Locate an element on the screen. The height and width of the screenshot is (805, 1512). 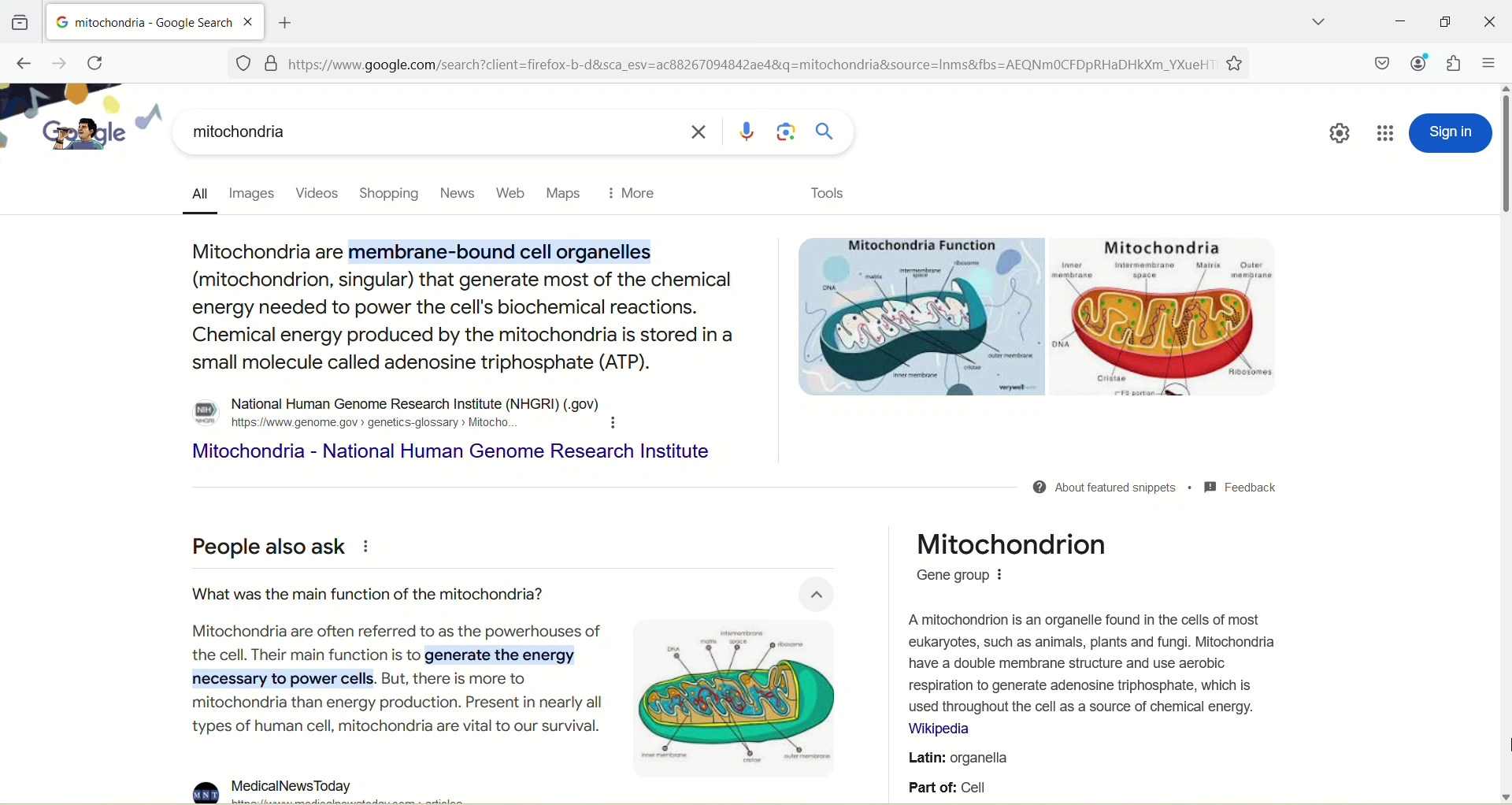
minimize is located at coordinates (1396, 21).